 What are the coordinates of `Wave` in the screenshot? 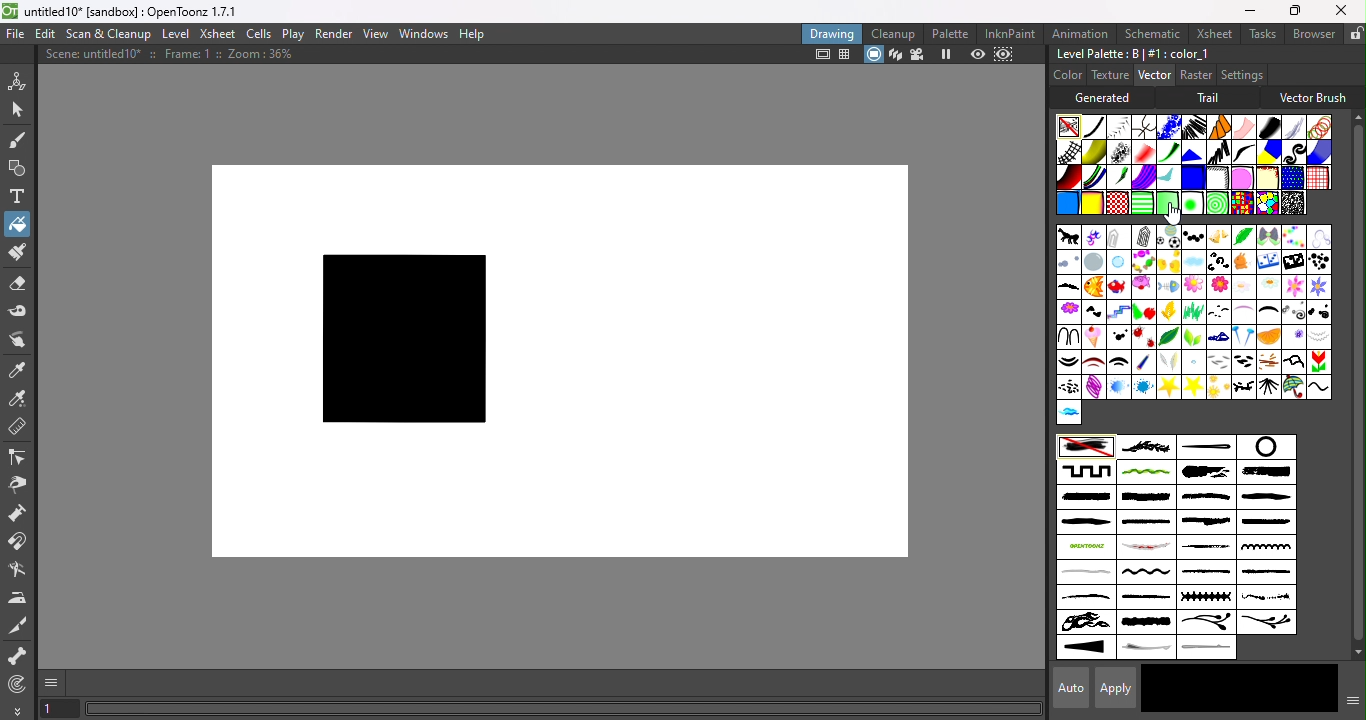 It's located at (1243, 152).